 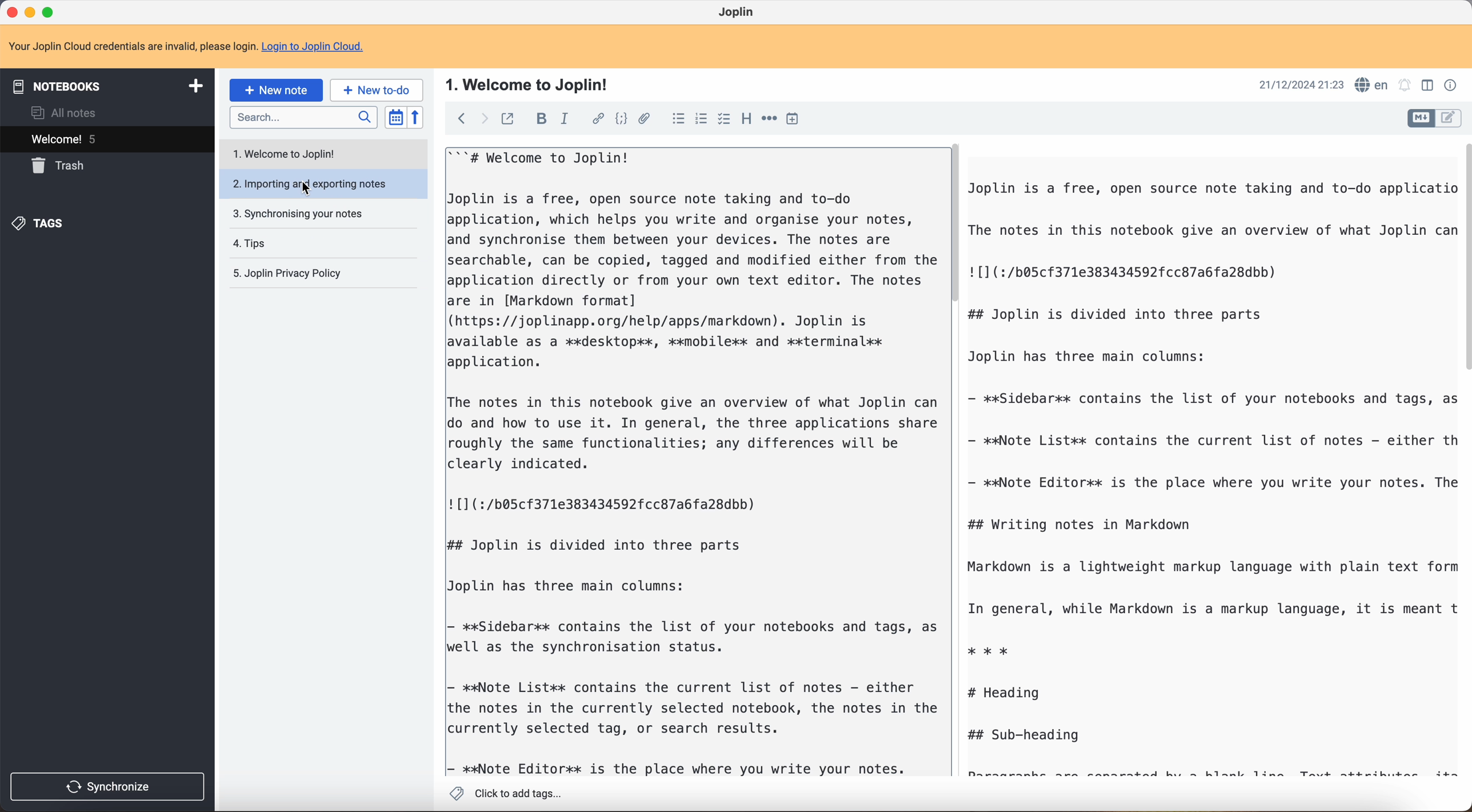 What do you see at coordinates (543, 118) in the screenshot?
I see `bold` at bounding box center [543, 118].